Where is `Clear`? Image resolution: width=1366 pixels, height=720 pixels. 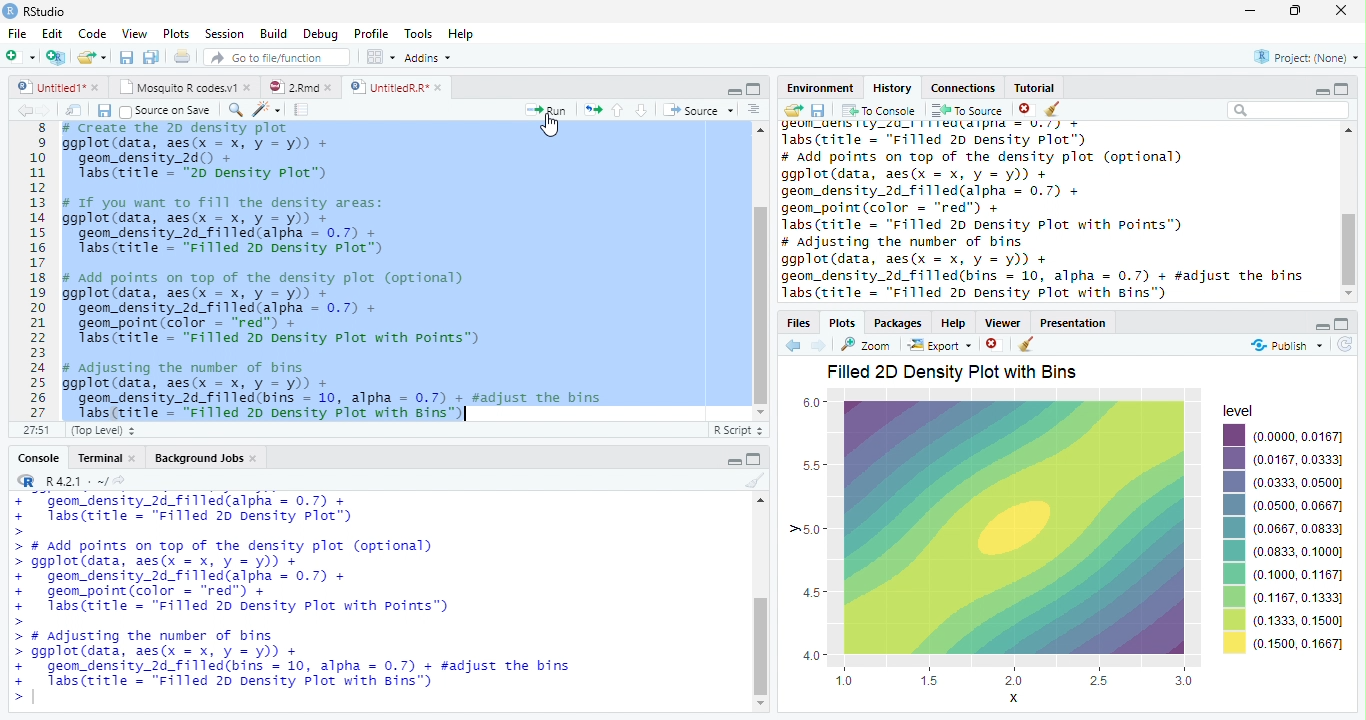 Clear is located at coordinates (756, 480).